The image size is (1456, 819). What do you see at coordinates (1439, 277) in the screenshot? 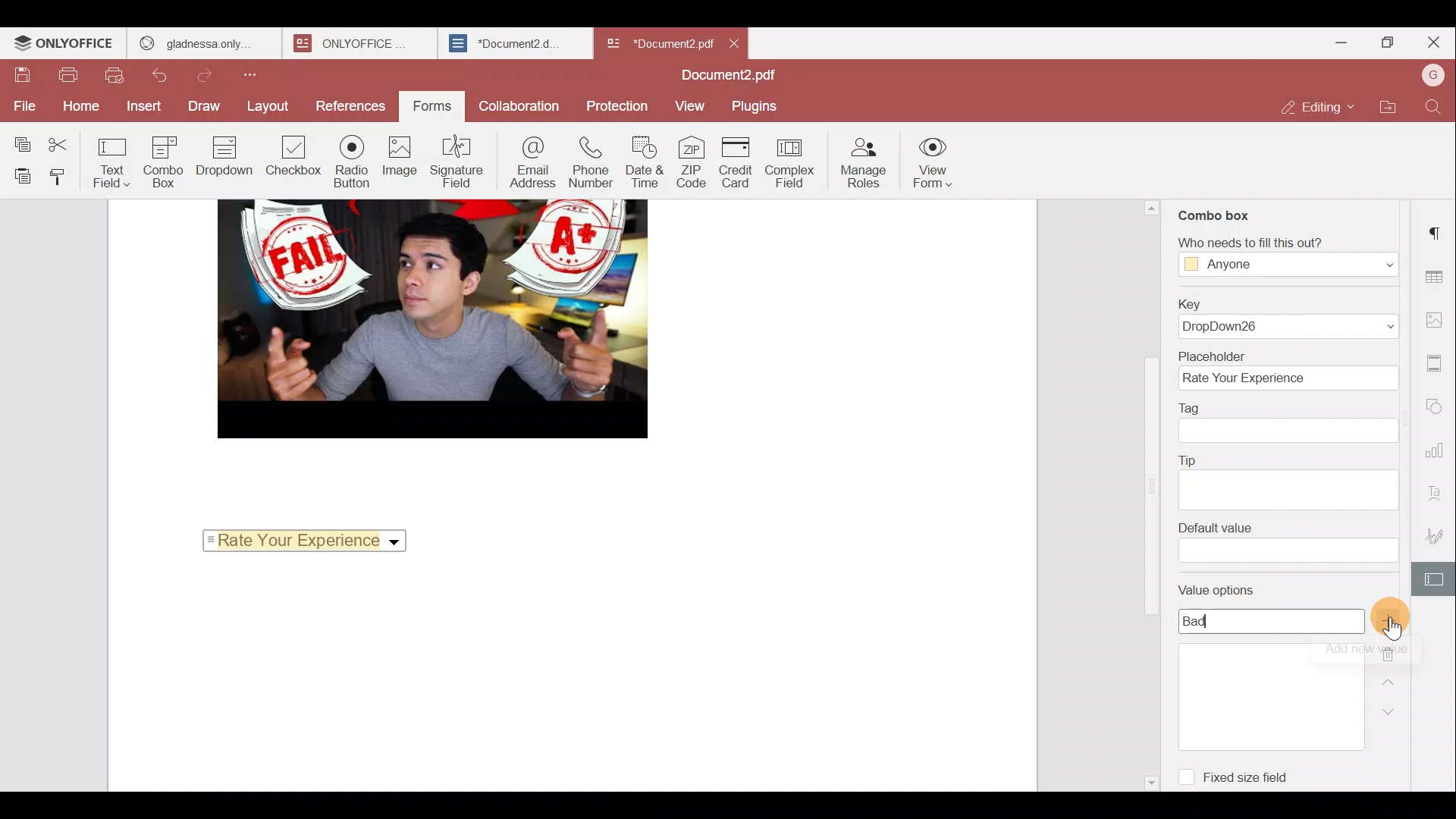
I see `Table settings` at bounding box center [1439, 277].